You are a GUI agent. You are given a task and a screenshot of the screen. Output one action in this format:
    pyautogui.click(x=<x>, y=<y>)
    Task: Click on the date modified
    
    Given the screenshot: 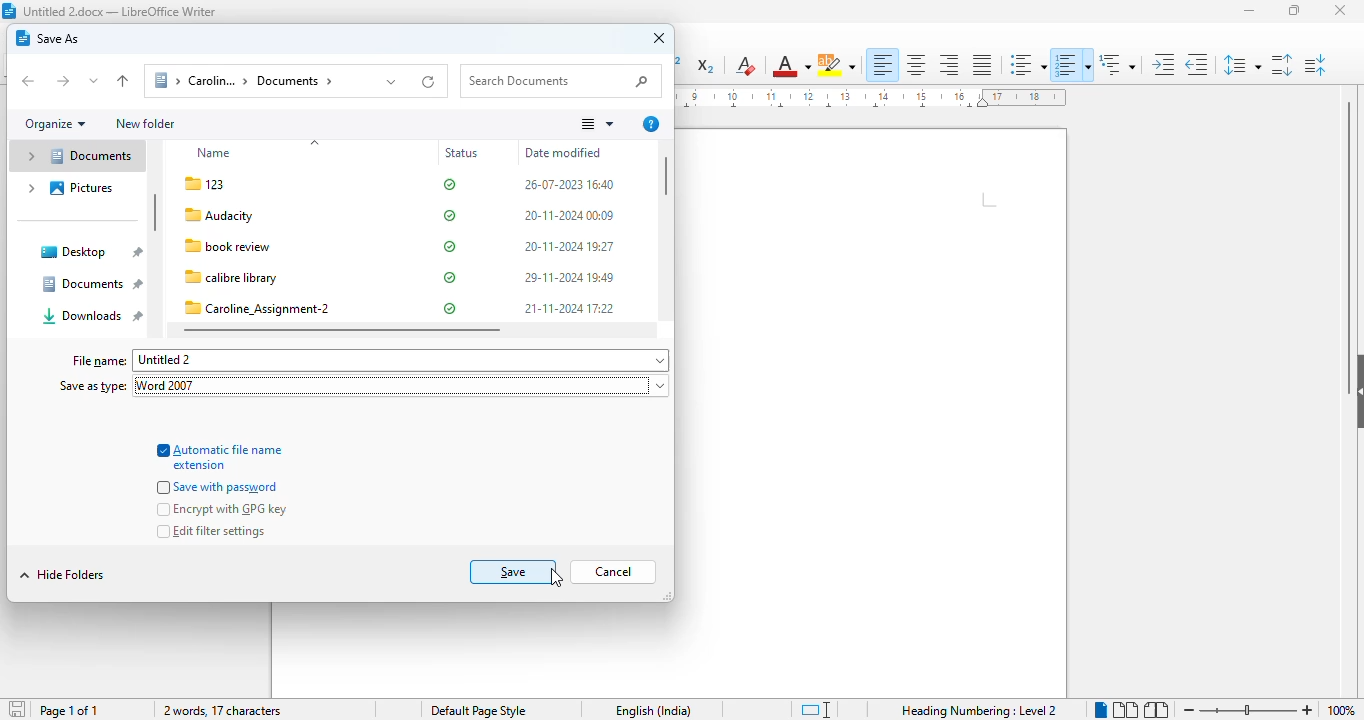 What is the action you would take?
    pyautogui.click(x=563, y=152)
    